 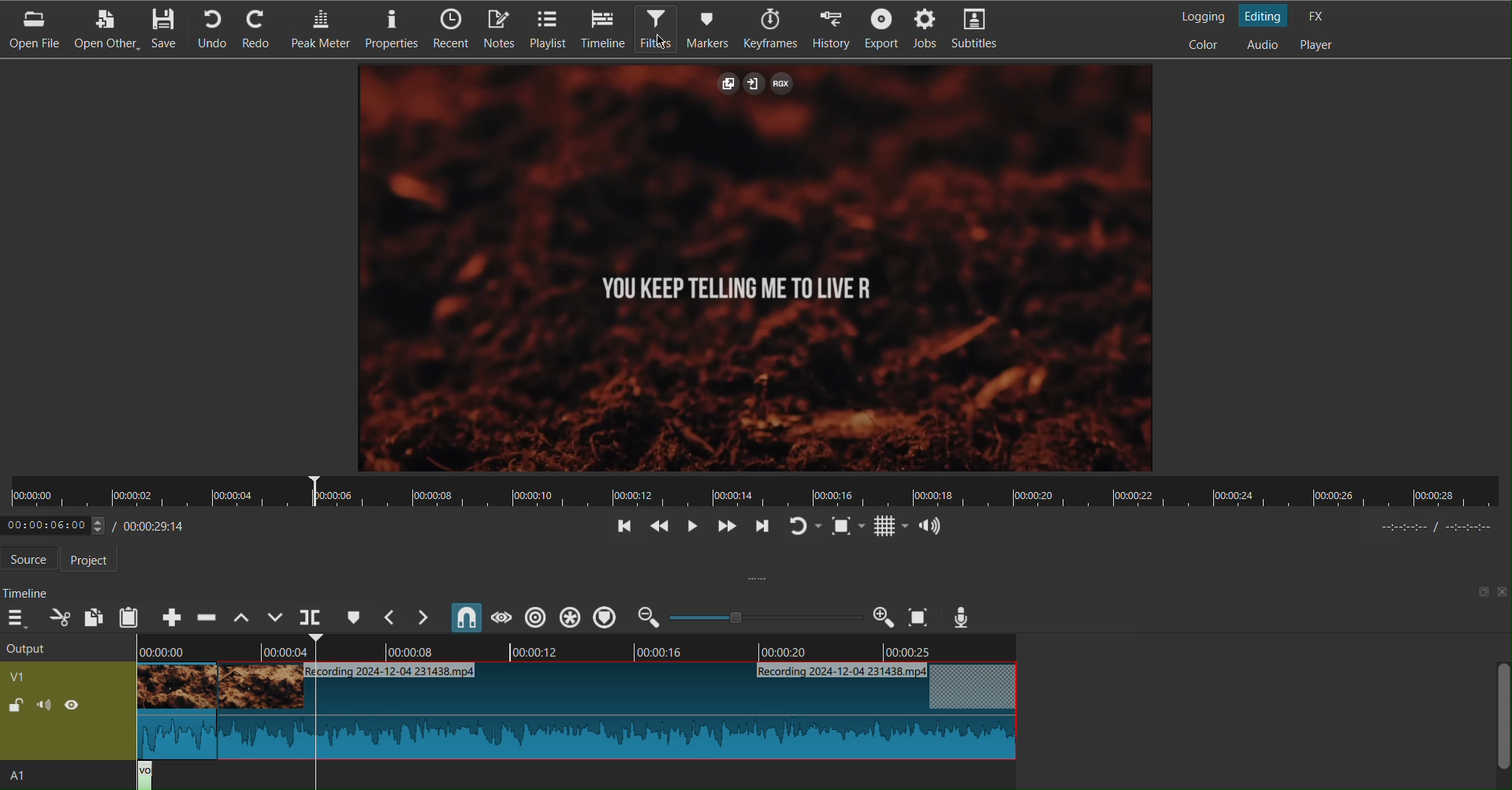 What do you see at coordinates (832, 28) in the screenshot?
I see `History` at bounding box center [832, 28].